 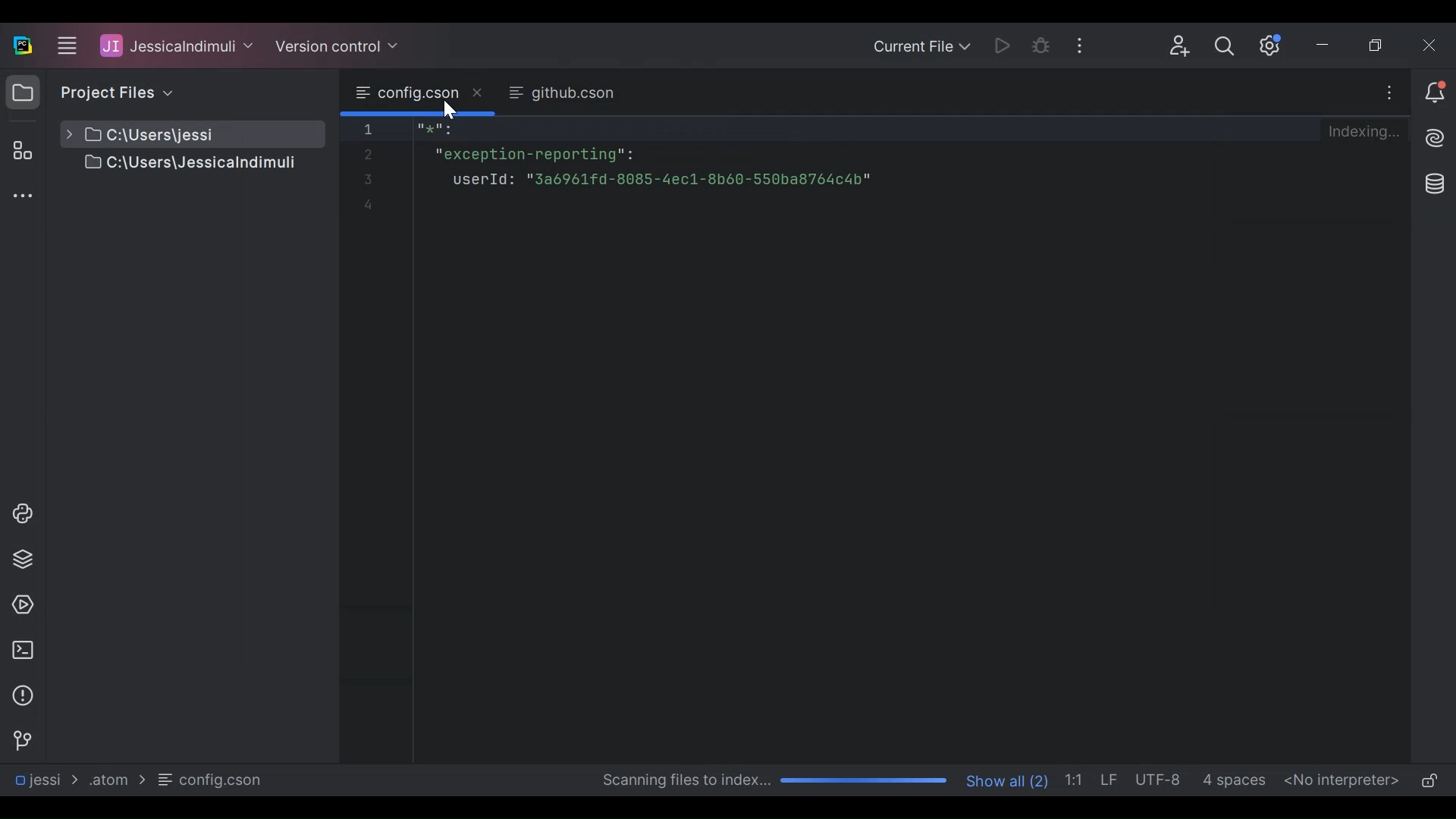 What do you see at coordinates (1161, 780) in the screenshot?
I see `File Encoding` at bounding box center [1161, 780].